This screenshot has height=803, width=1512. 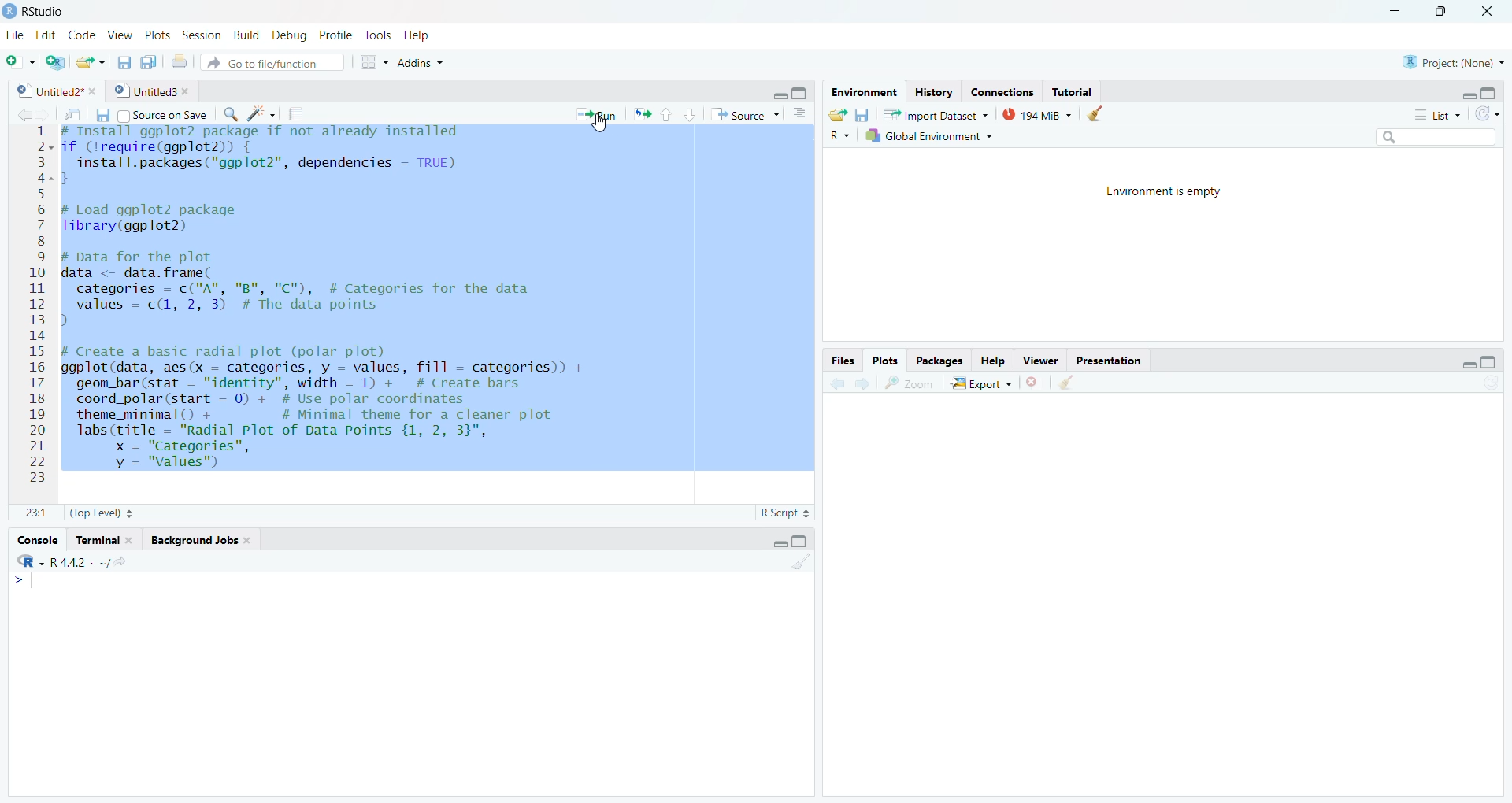 I want to click on new file, so click(x=20, y=61).